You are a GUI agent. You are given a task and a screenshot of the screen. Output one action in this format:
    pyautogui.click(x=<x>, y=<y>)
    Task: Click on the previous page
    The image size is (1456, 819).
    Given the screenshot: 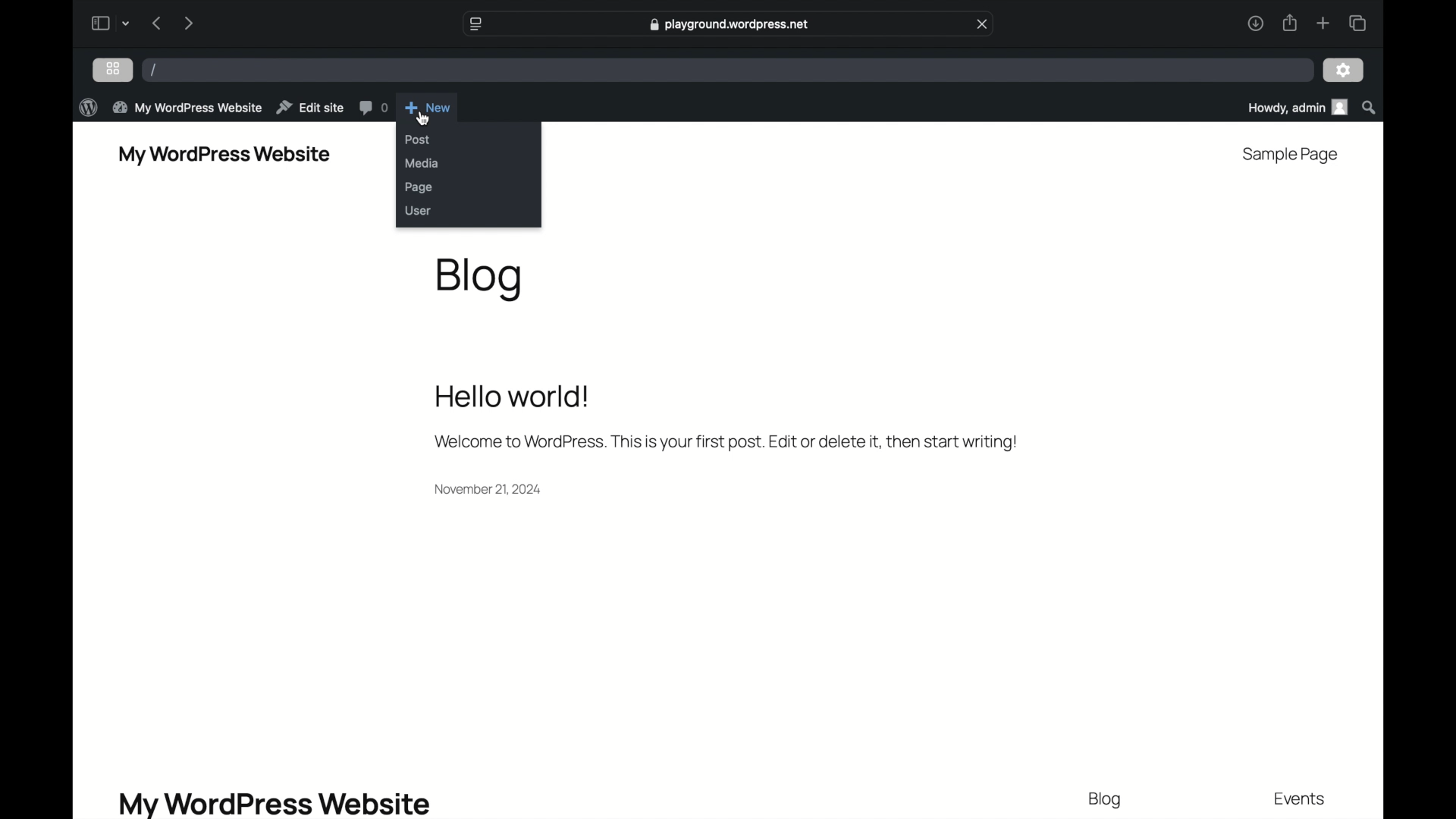 What is the action you would take?
    pyautogui.click(x=158, y=23)
    